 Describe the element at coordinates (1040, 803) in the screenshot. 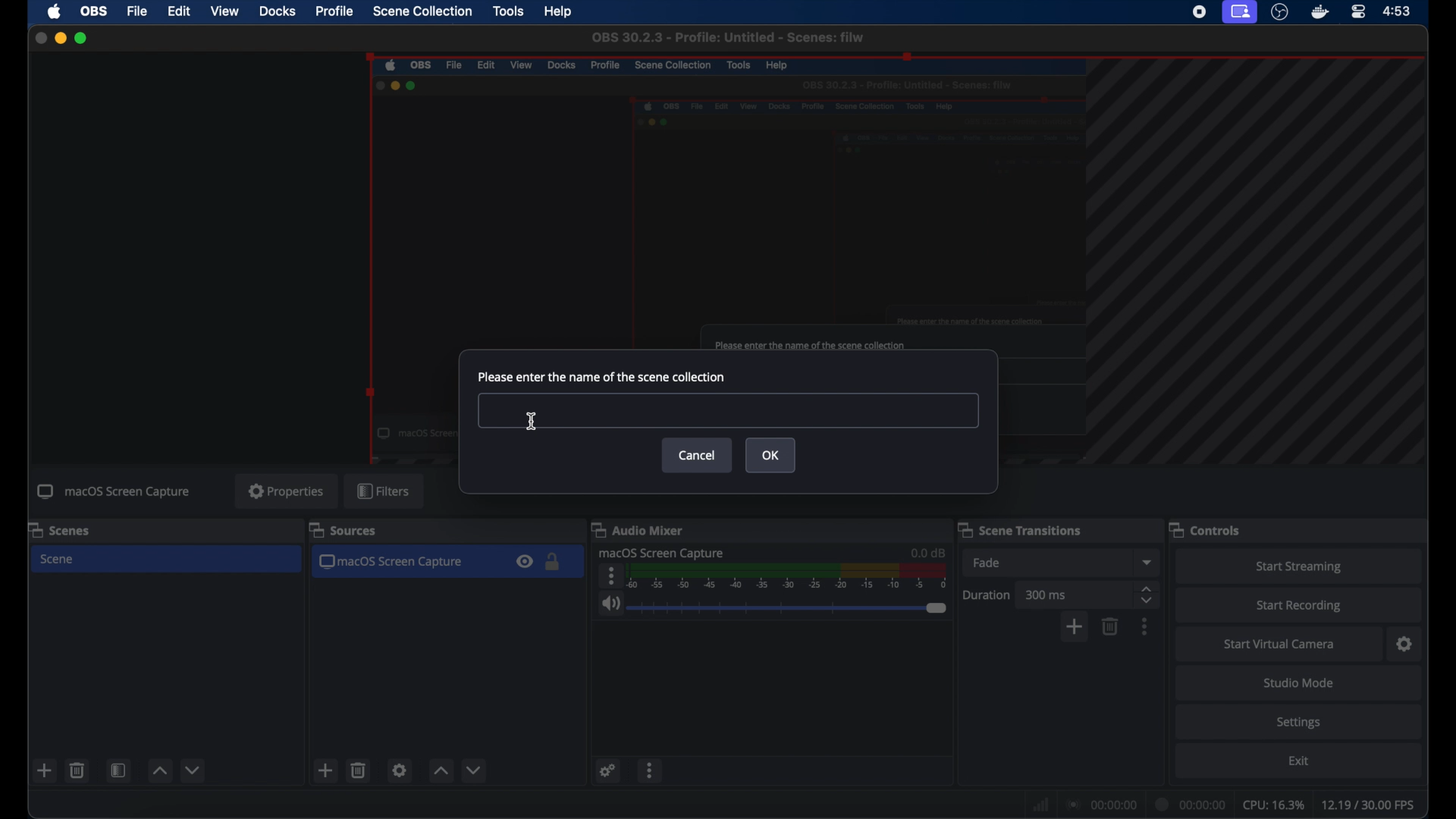

I see `network` at that location.